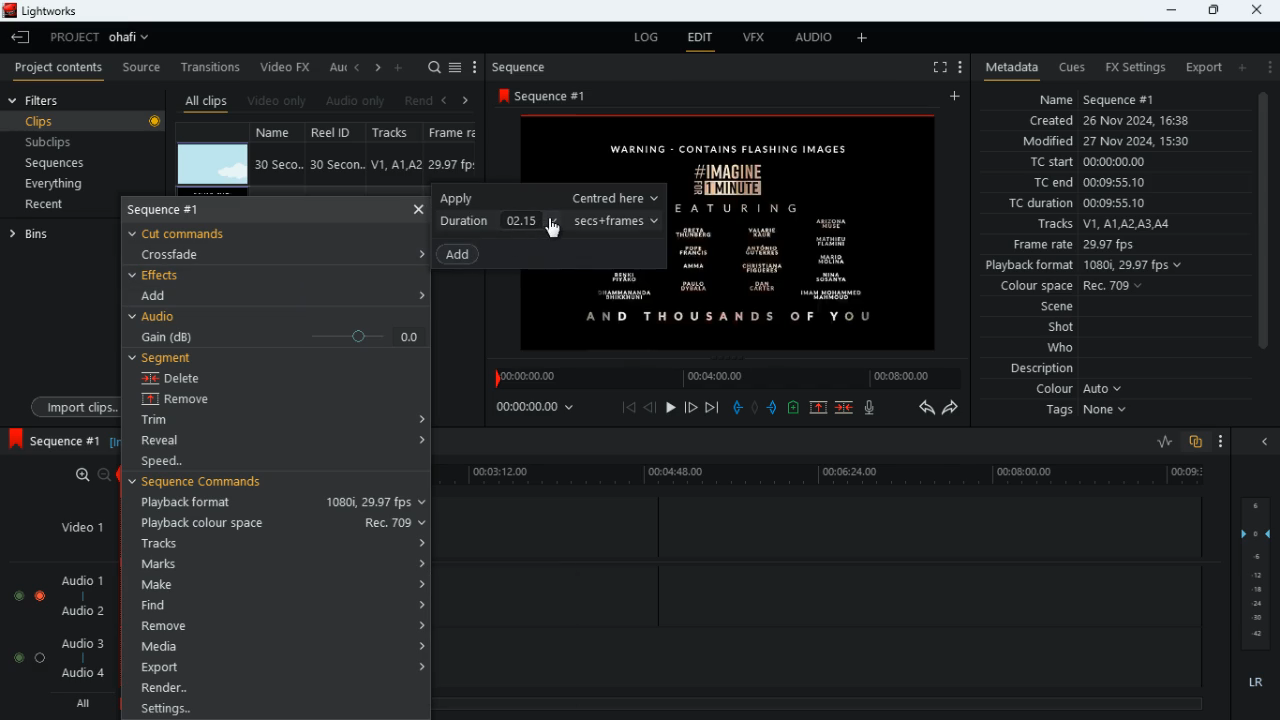  I want to click on timeline, so click(724, 377).